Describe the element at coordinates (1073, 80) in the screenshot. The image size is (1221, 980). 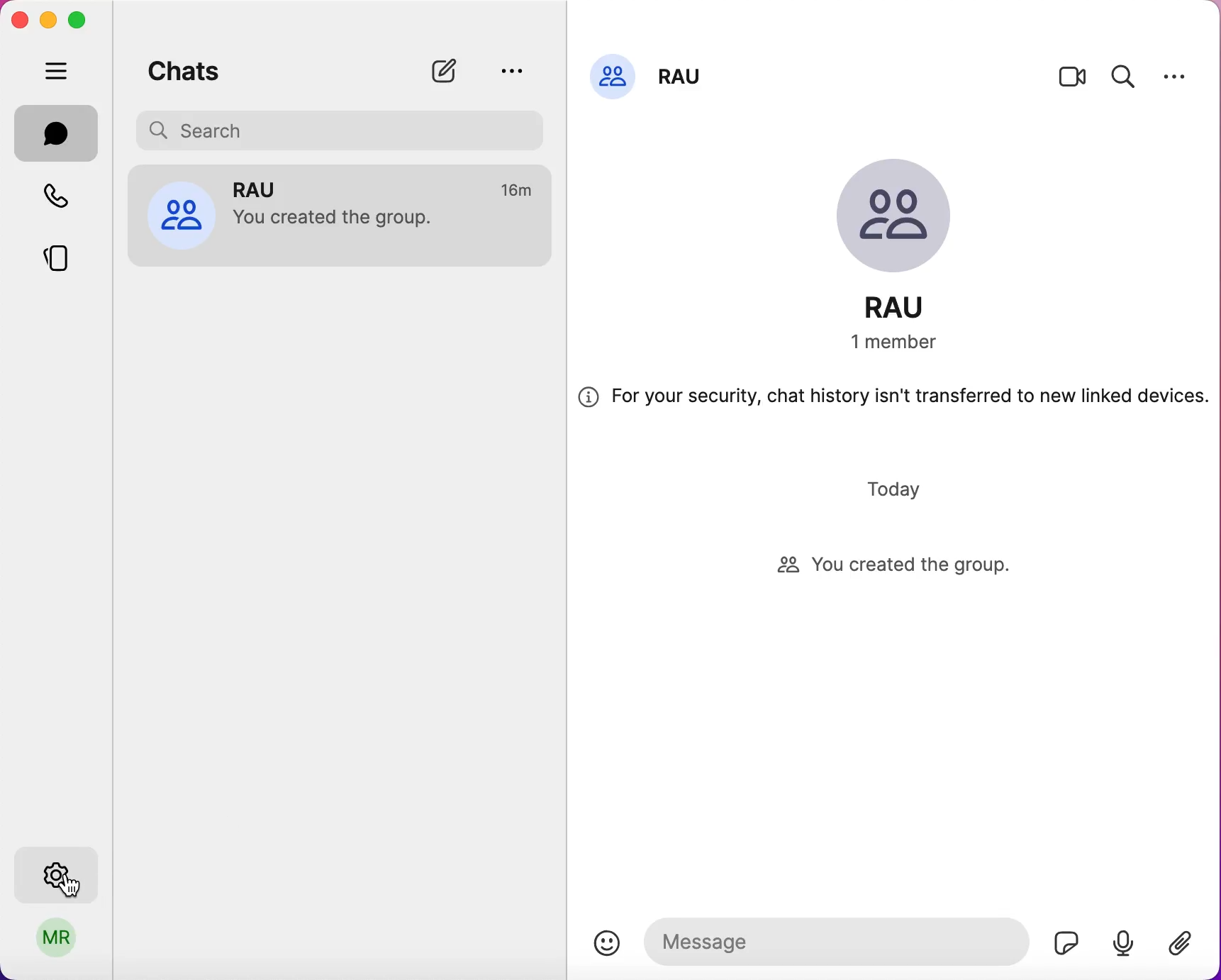
I see `video call` at that location.